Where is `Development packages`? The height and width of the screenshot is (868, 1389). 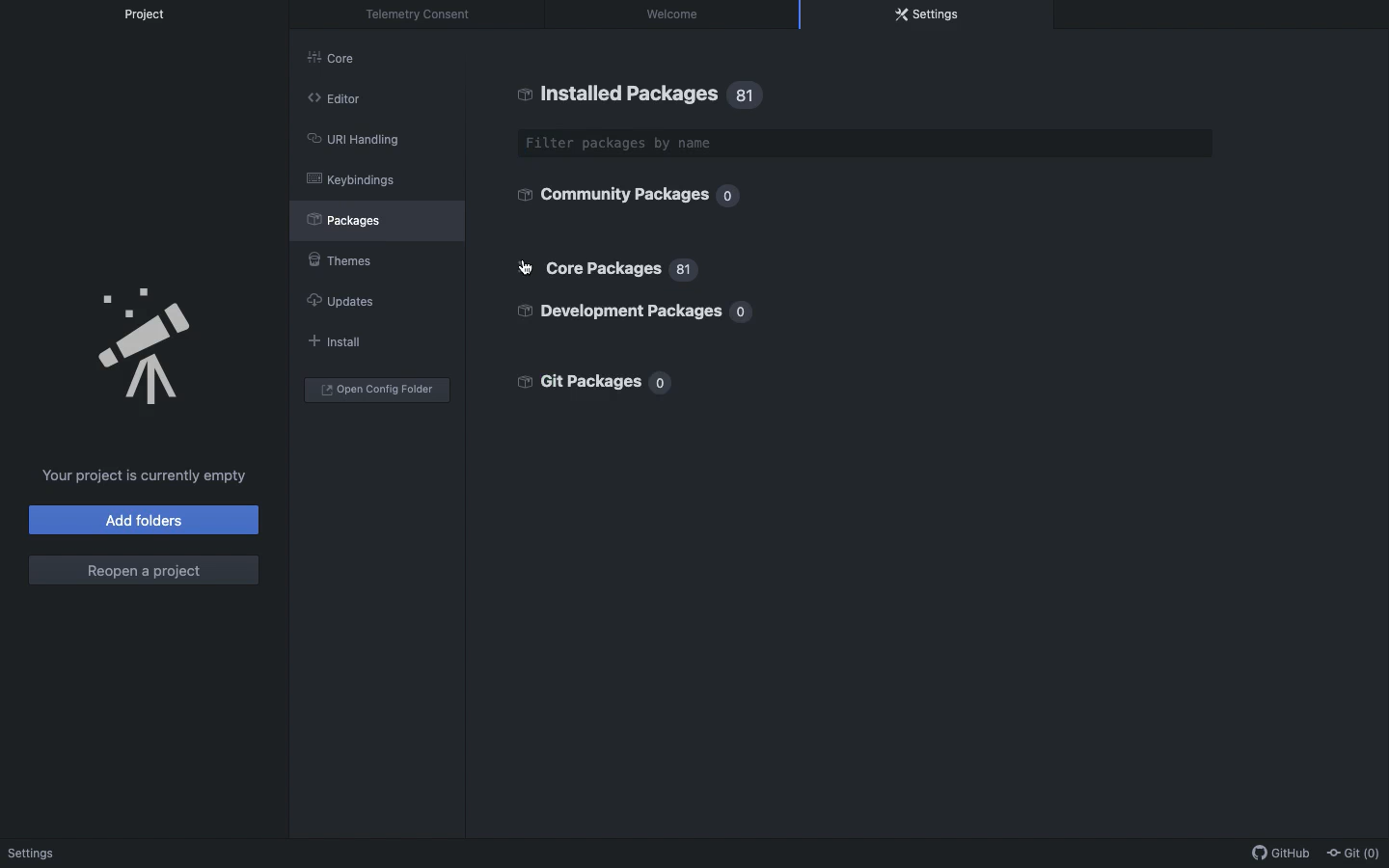 Development packages is located at coordinates (622, 312).